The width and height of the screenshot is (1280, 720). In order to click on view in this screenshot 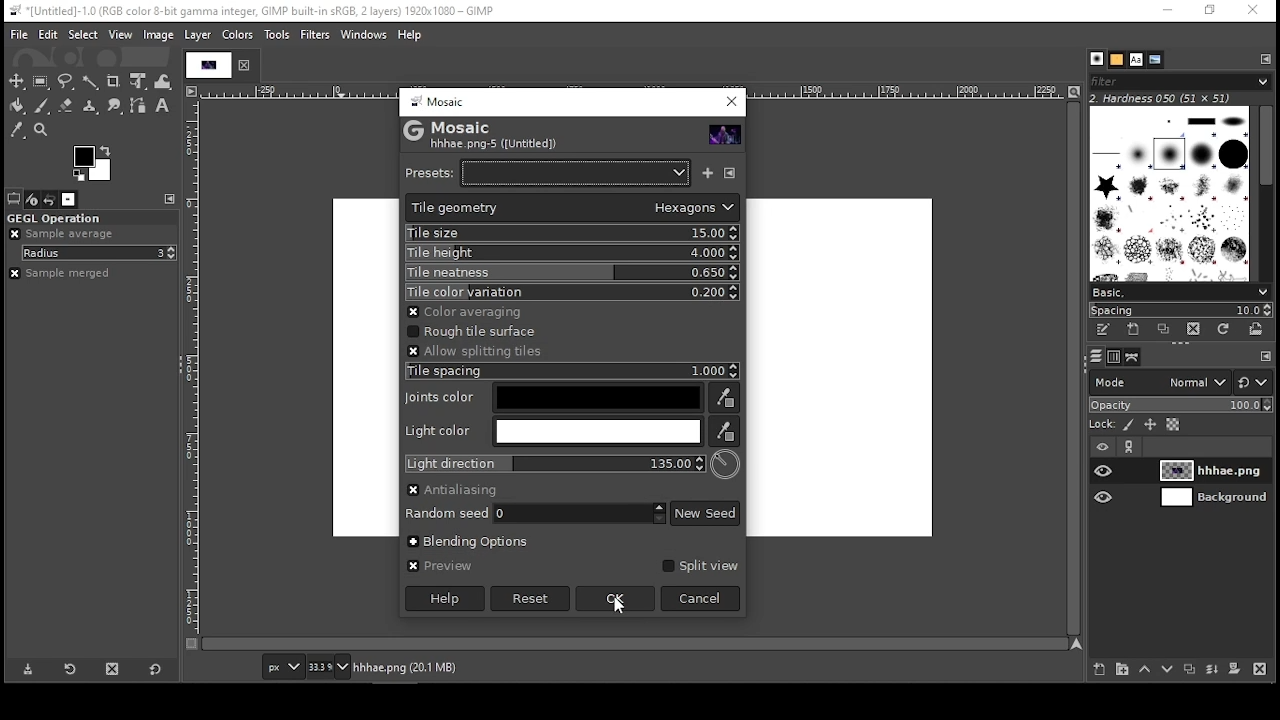, I will do `click(122, 34)`.